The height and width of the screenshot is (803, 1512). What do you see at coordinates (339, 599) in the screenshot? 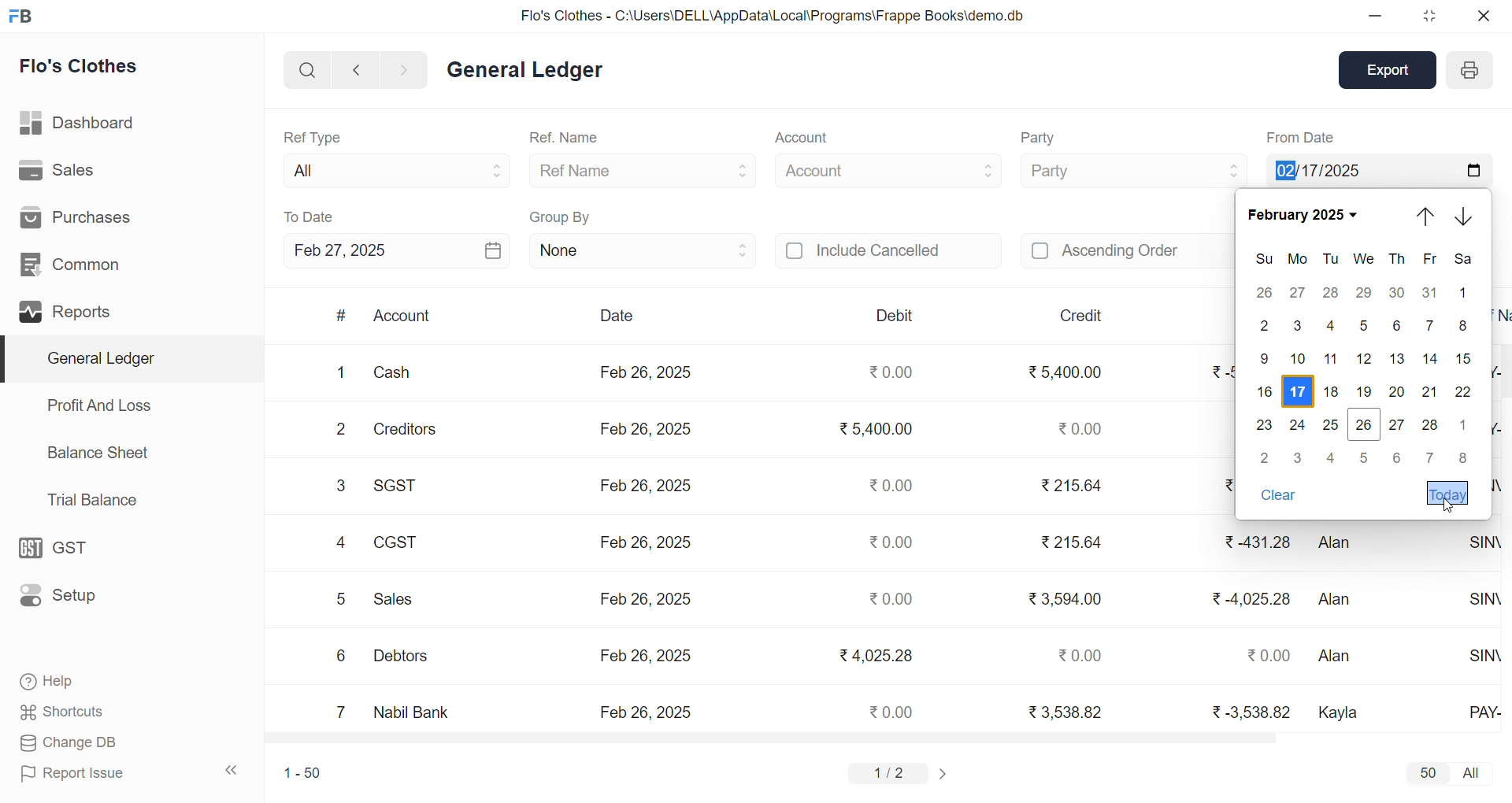
I see `5` at bounding box center [339, 599].